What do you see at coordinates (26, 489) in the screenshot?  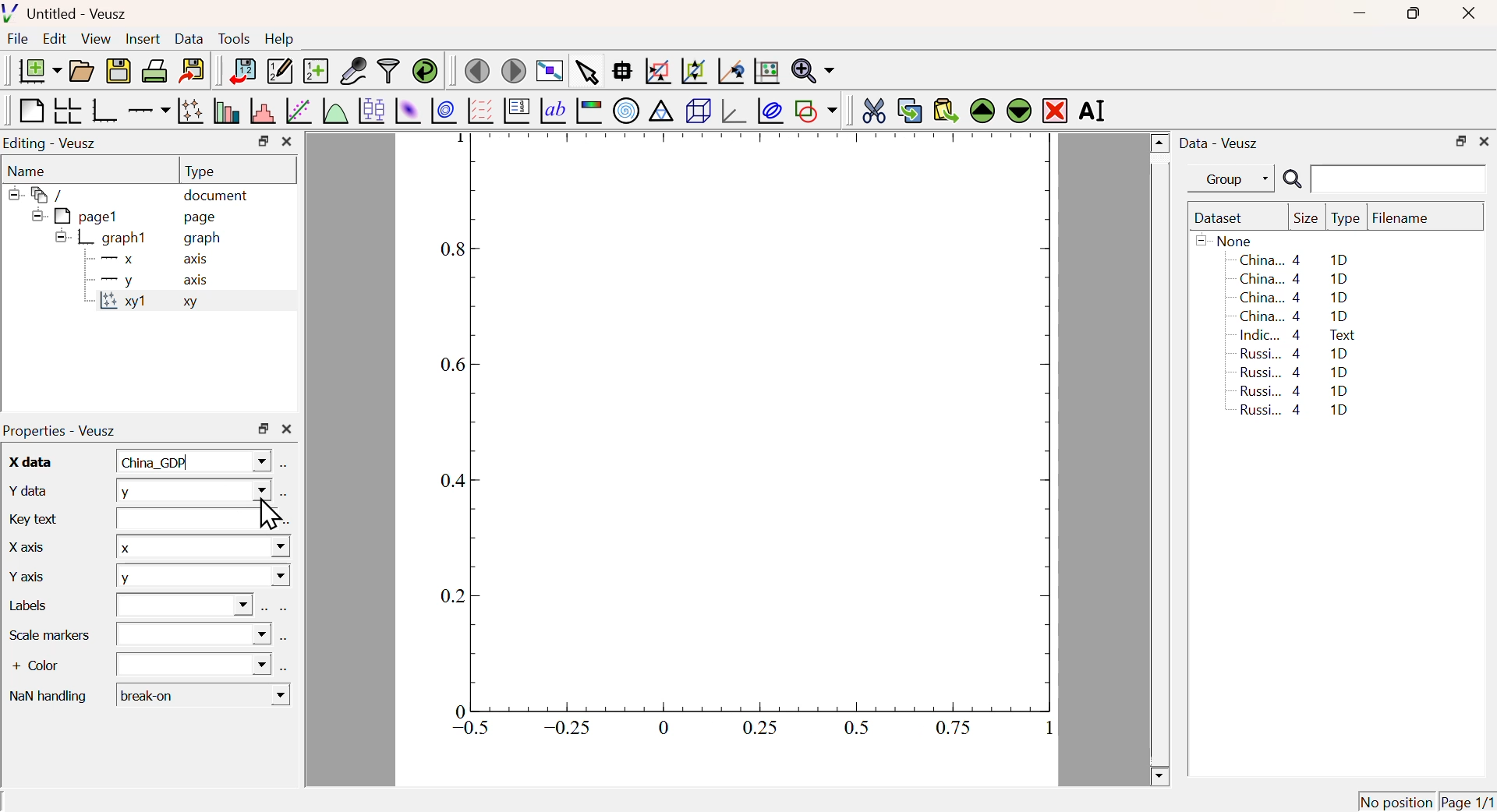 I see `Y data` at bounding box center [26, 489].